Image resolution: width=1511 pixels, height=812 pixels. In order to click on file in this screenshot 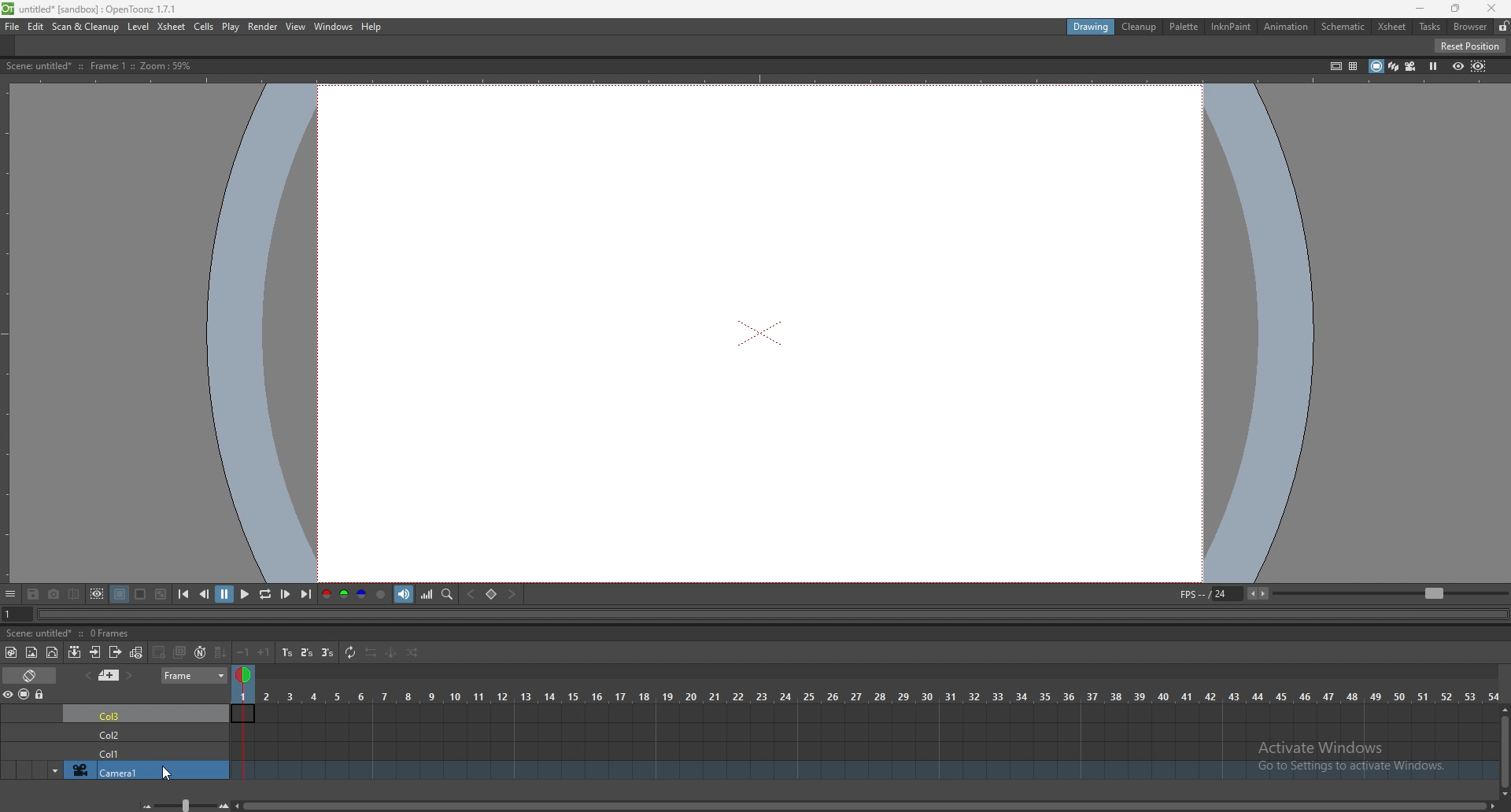, I will do `click(13, 27)`.